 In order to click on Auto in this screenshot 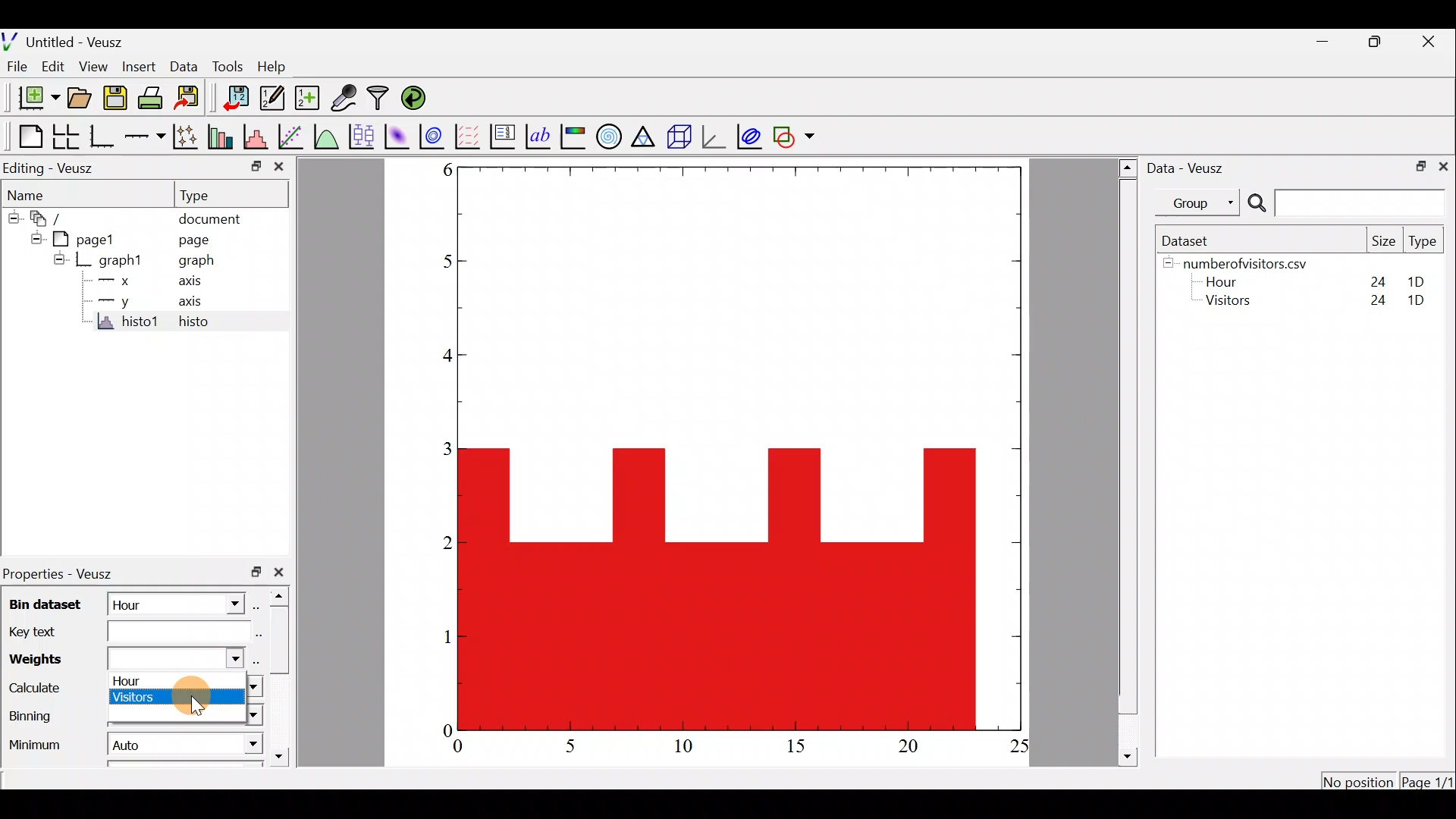, I will do `click(149, 744)`.